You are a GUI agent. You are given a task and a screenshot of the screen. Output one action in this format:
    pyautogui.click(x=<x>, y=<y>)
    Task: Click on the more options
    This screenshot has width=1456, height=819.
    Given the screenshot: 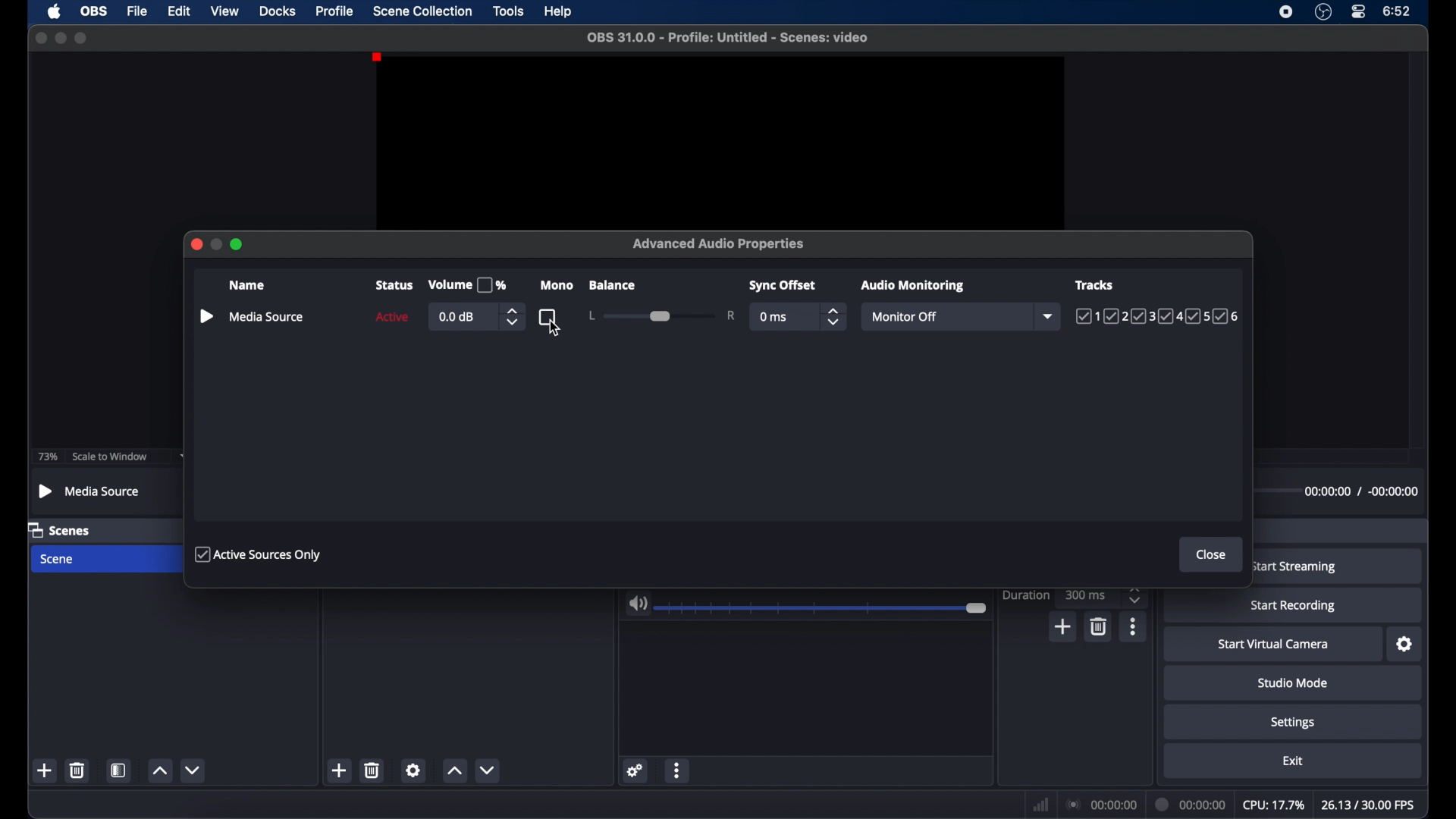 What is the action you would take?
    pyautogui.click(x=678, y=769)
    